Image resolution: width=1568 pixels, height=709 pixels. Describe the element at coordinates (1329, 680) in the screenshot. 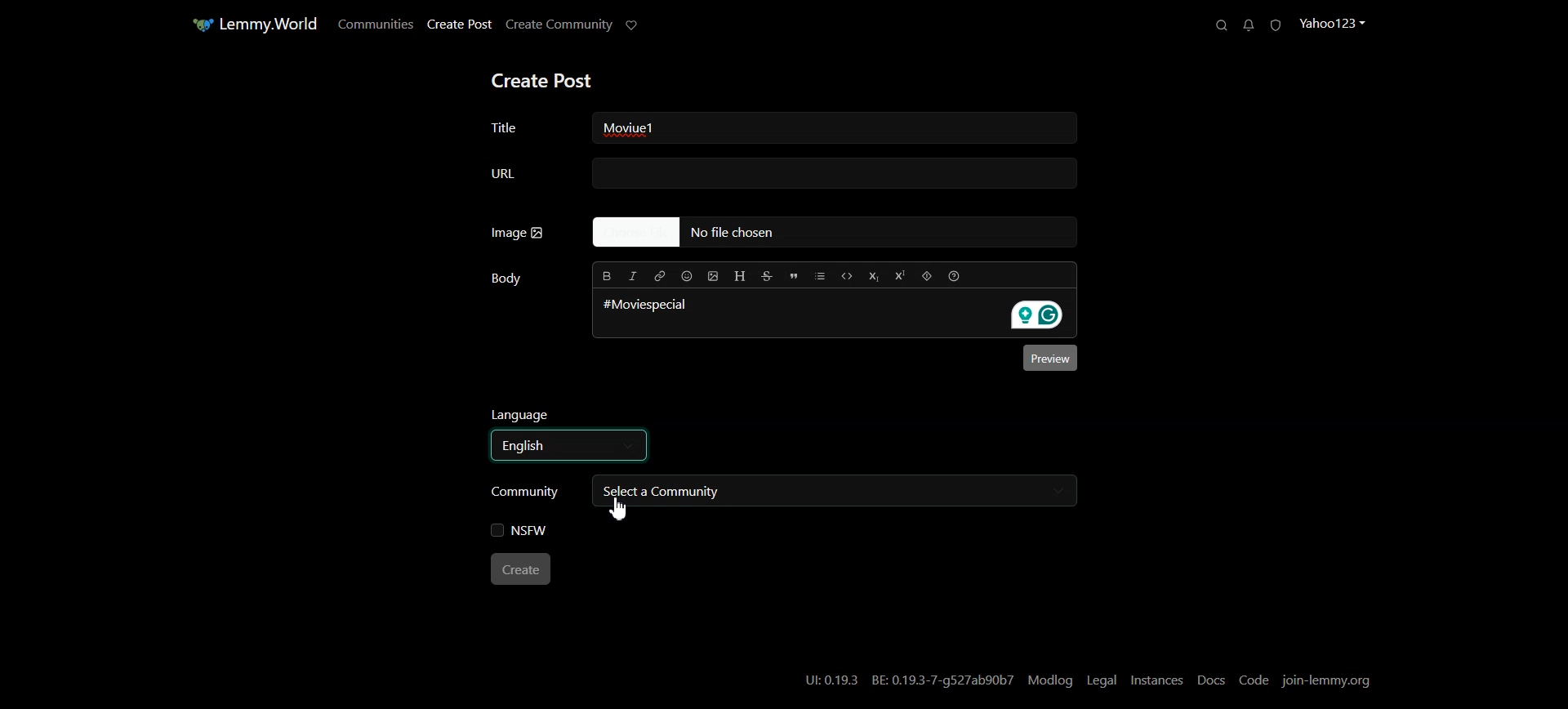

I see `Join-lemmy.org` at that location.